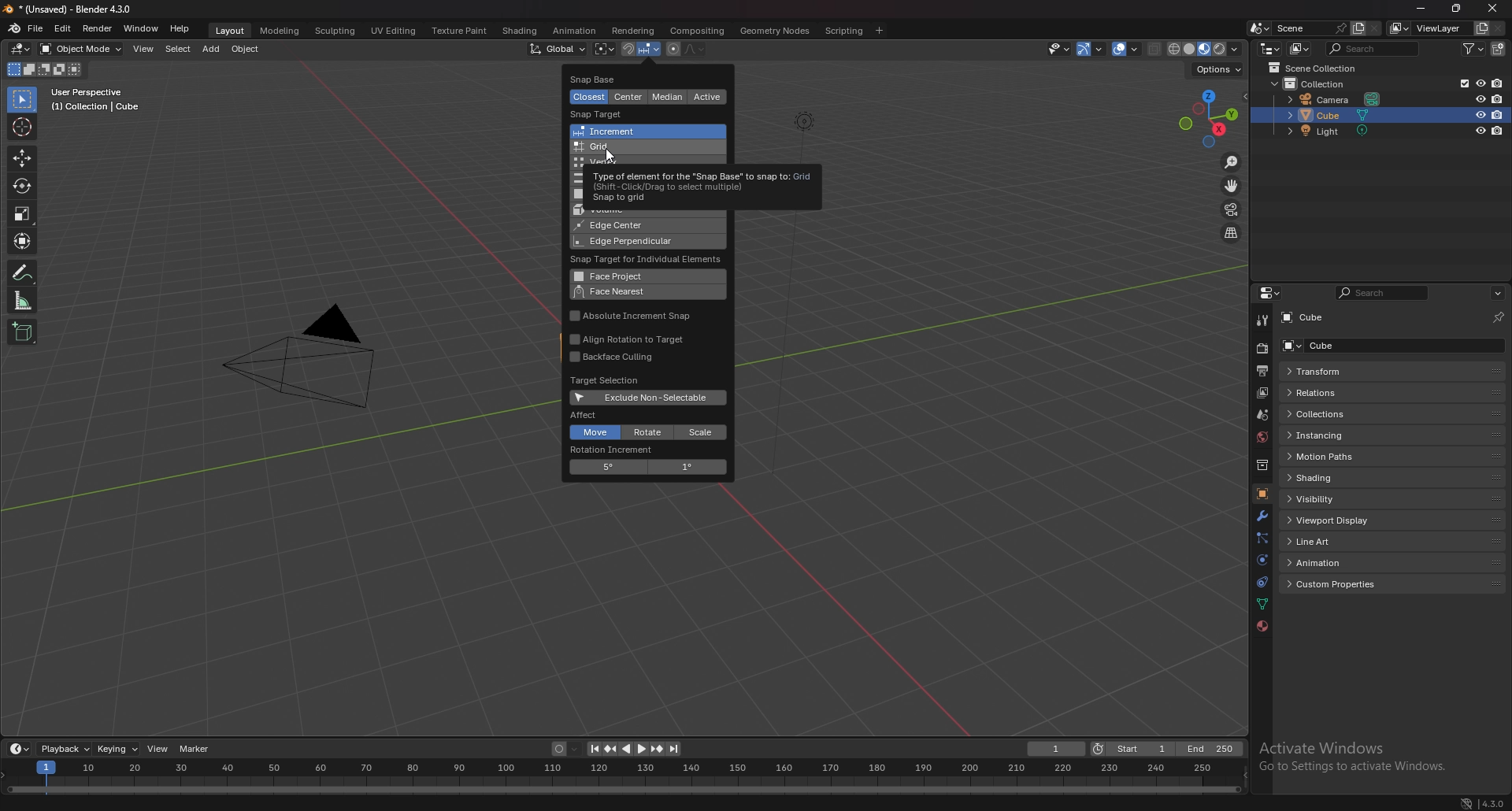 This screenshot has height=811, width=1512. What do you see at coordinates (1155, 49) in the screenshot?
I see `toggle xrays` at bounding box center [1155, 49].